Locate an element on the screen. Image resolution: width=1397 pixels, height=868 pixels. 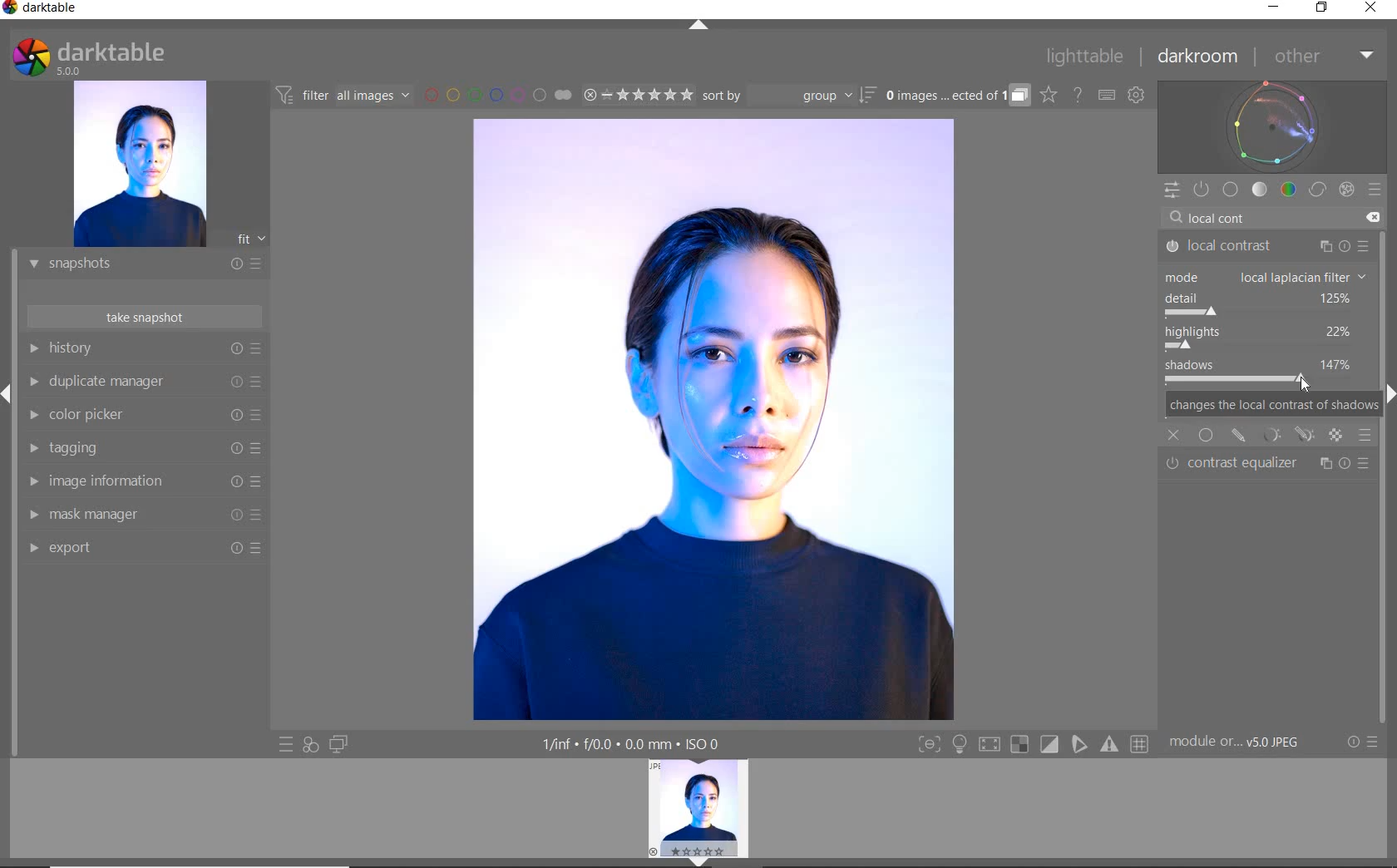
Search is located at coordinates (1176, 218).